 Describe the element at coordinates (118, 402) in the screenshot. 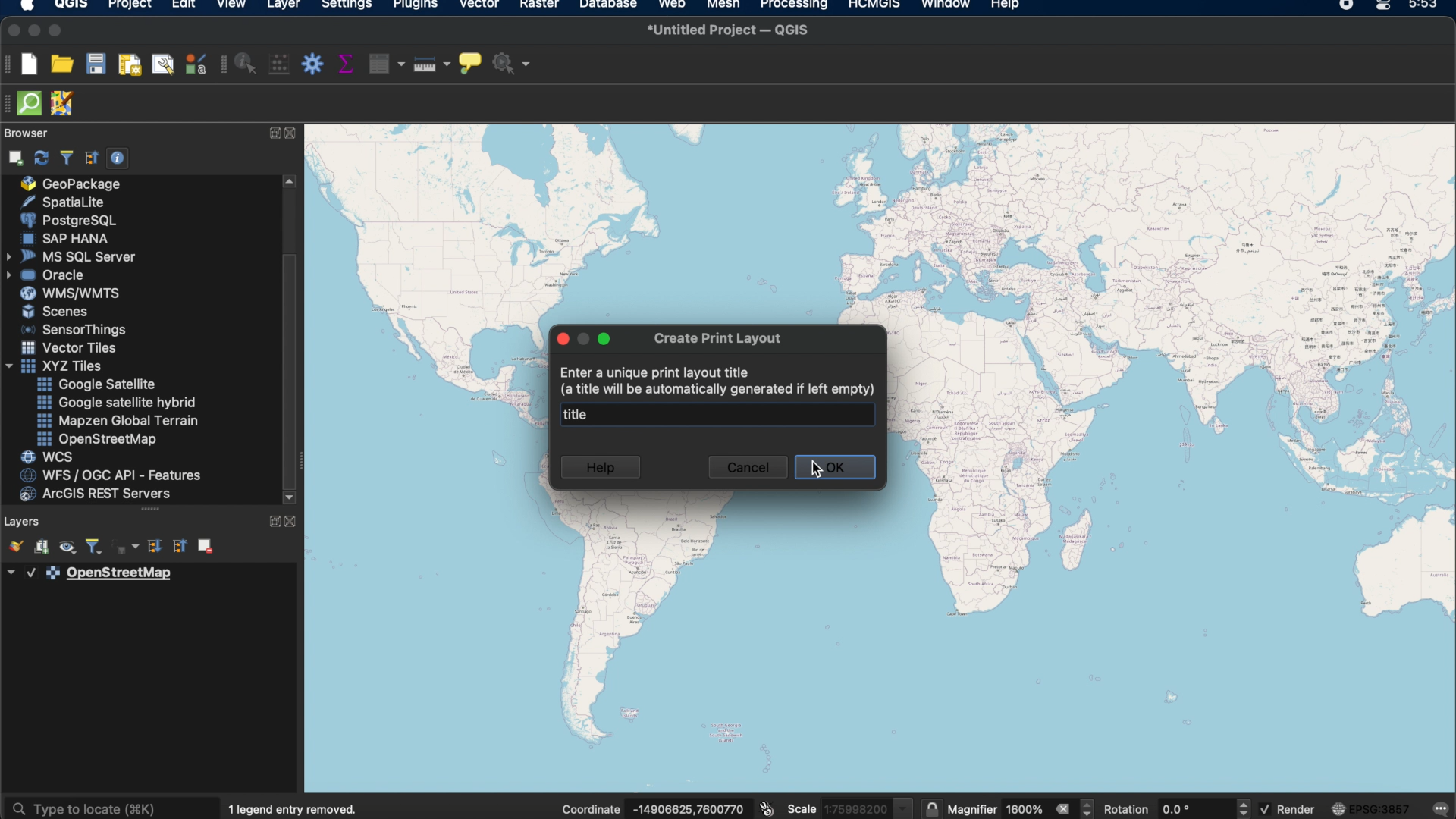

I see `google satellite hybrid` at that location.